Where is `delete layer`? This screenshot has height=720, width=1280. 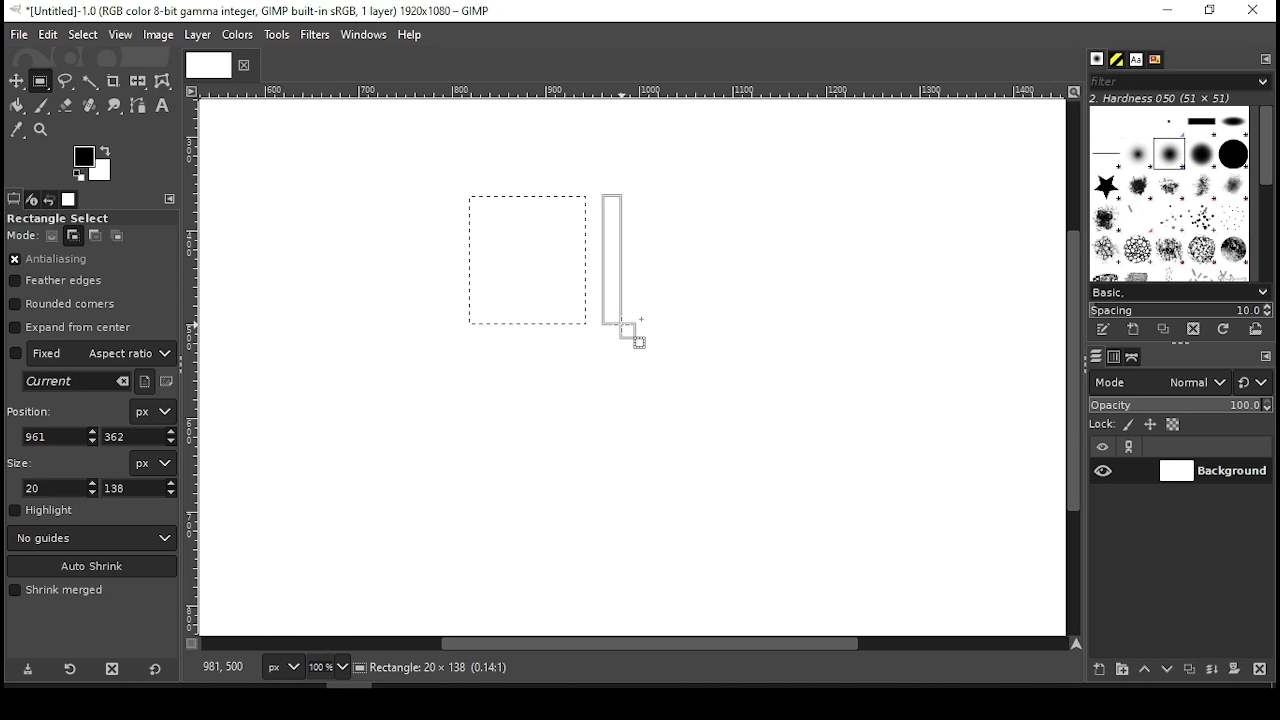
delete layer is located at coordinates (1259, 669).